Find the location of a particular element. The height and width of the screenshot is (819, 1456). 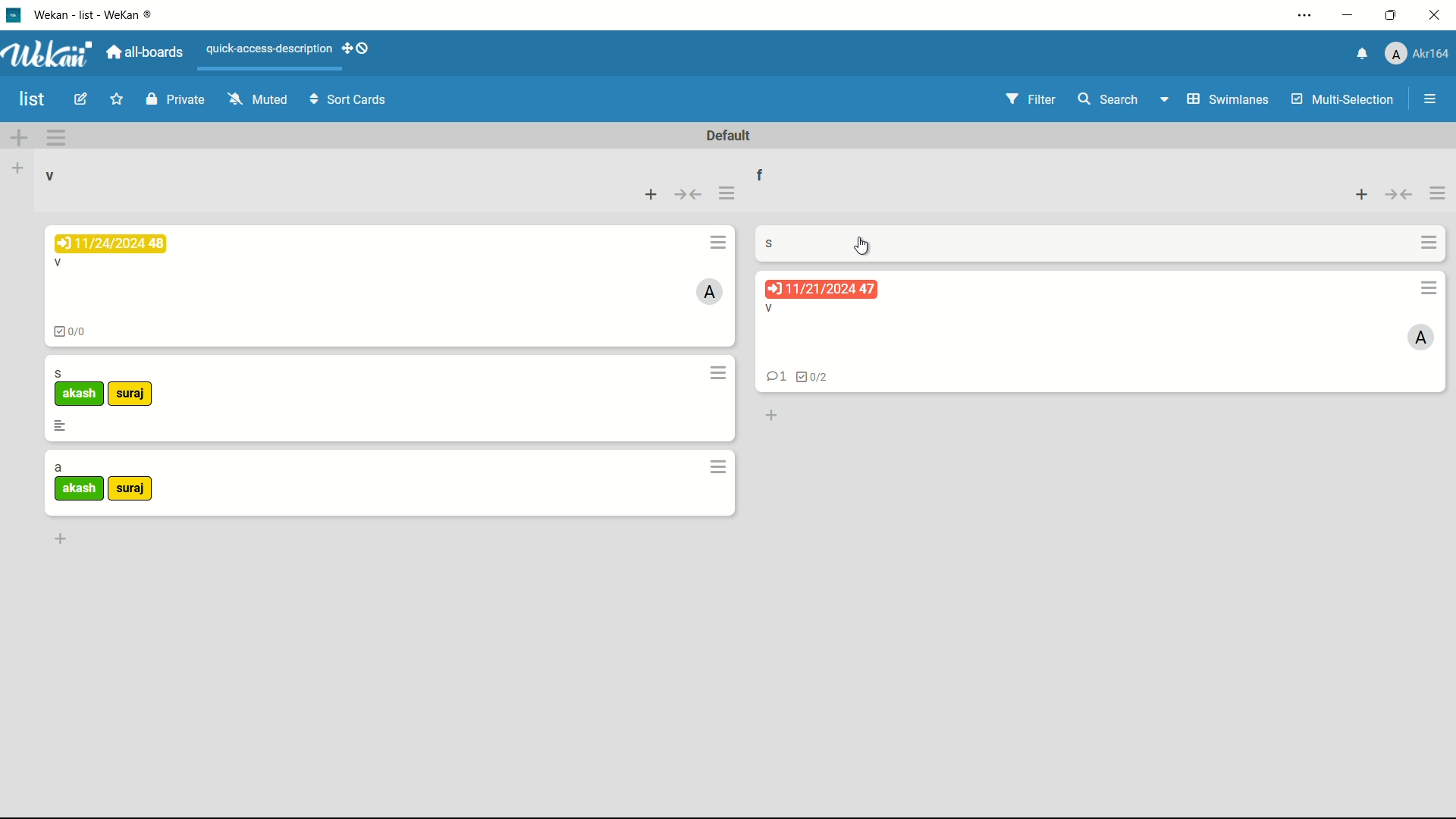

card name is located at coordinates (58, 469).